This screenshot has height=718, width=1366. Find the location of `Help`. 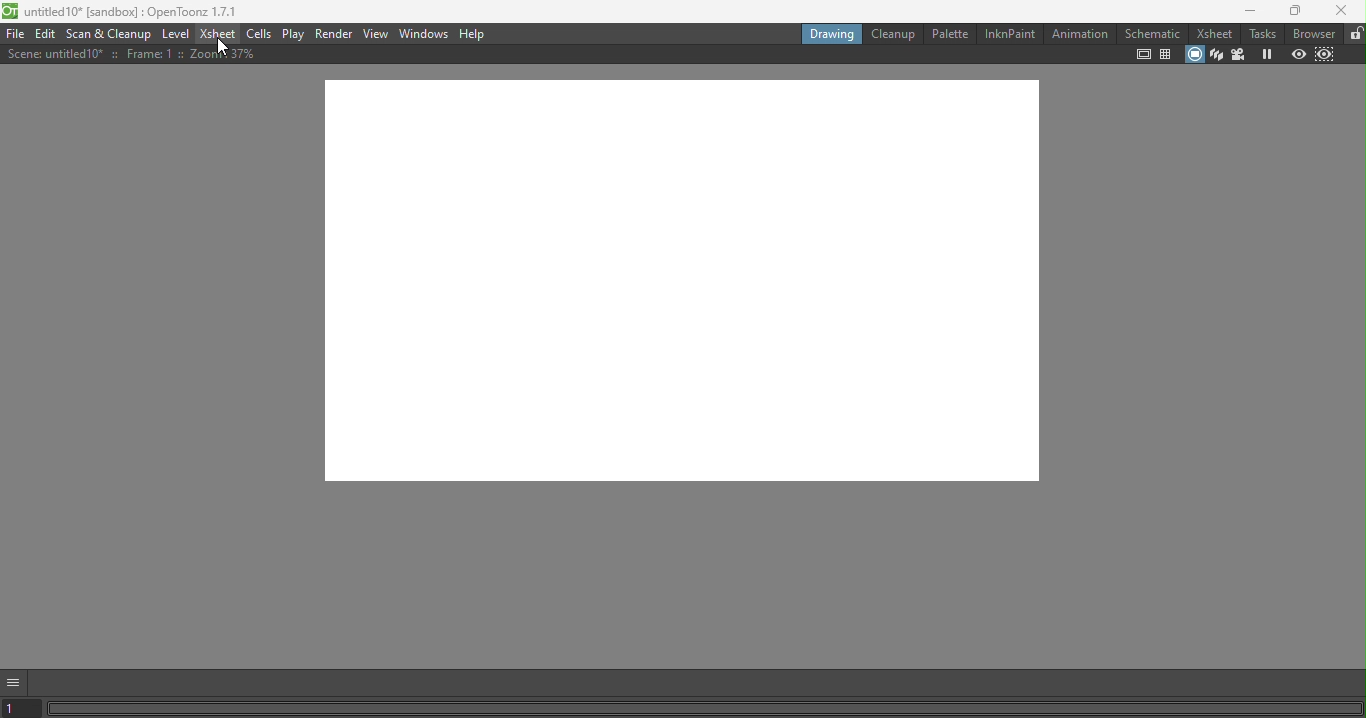

Help is located at coordinates (475, 34).